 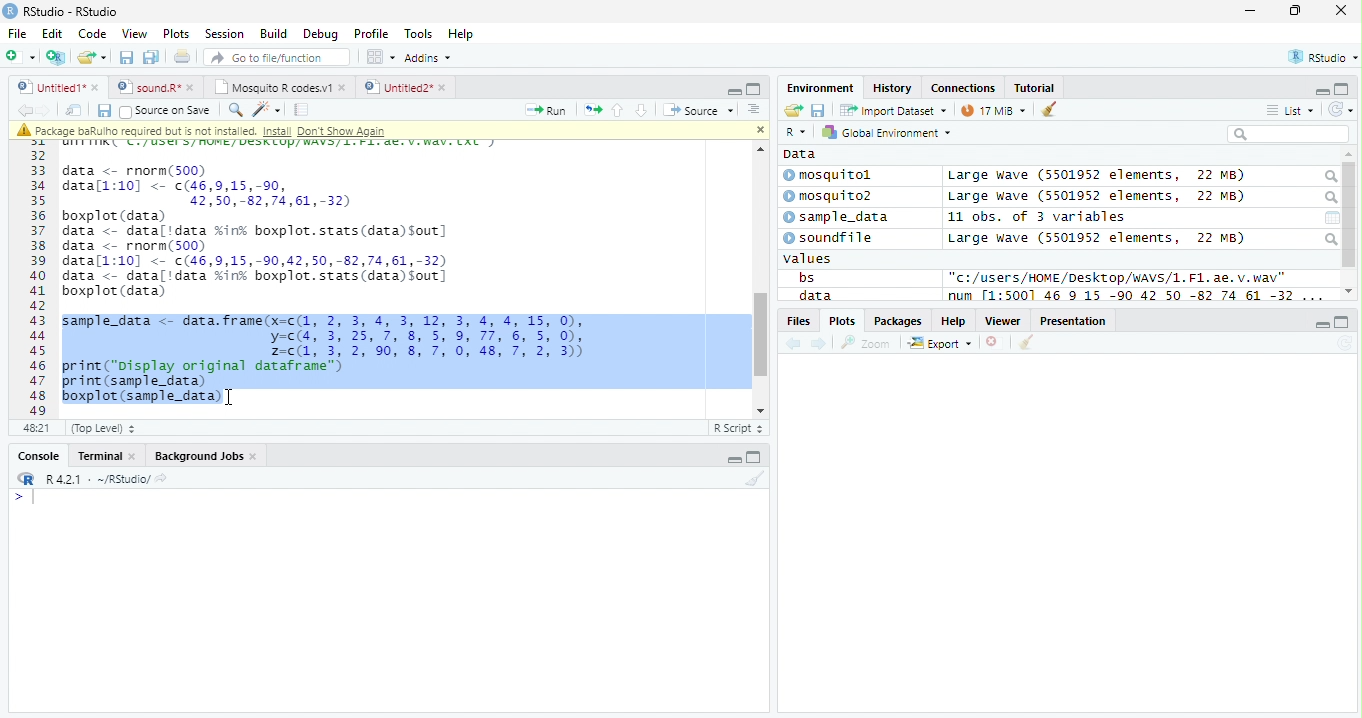 What do you see at coordinates (183, 58) in the screenshot?
I see `Print` at bounding box center [183, 58].